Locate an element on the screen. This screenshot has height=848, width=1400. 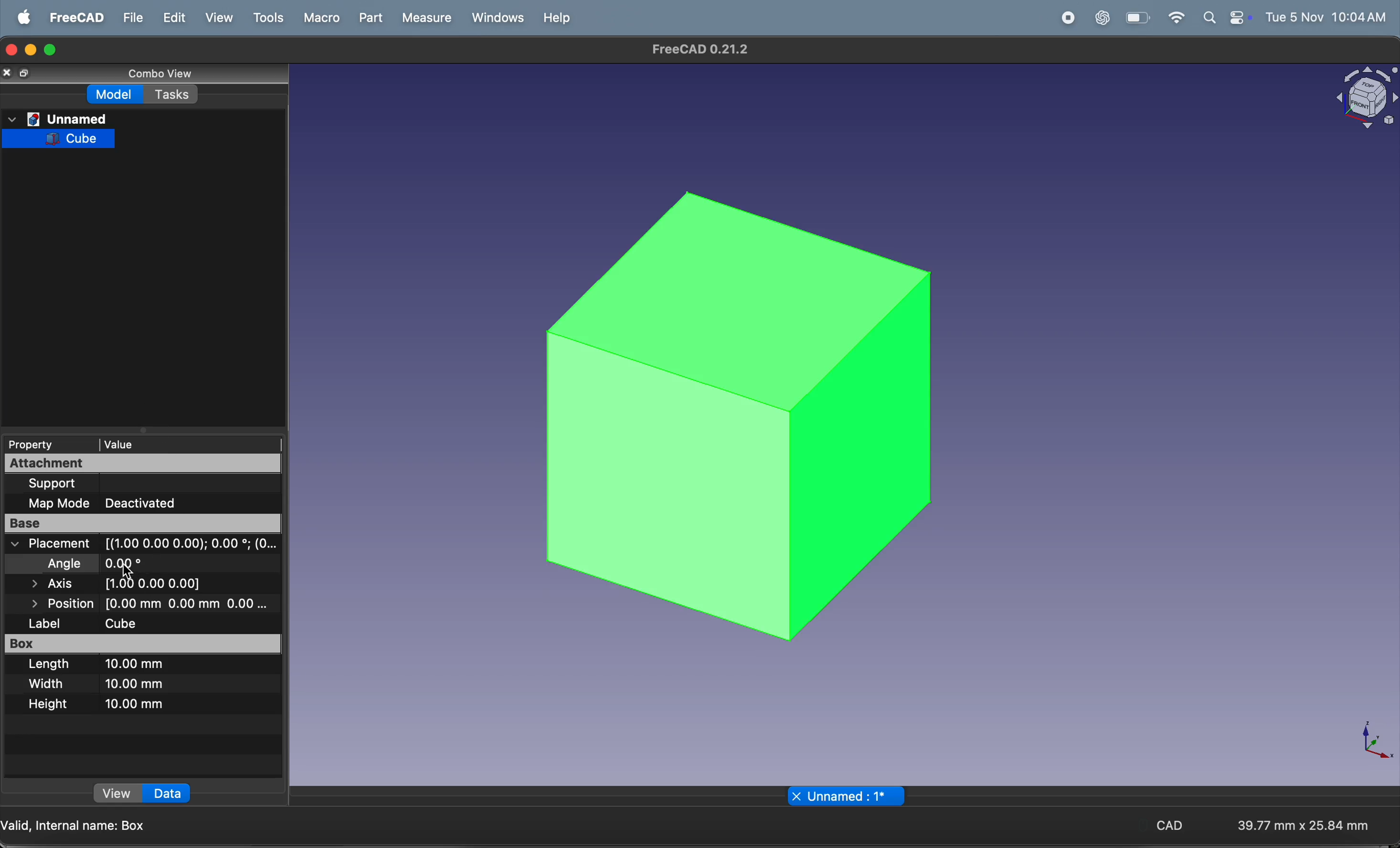
10 mm is located at coordinates (139, 666).